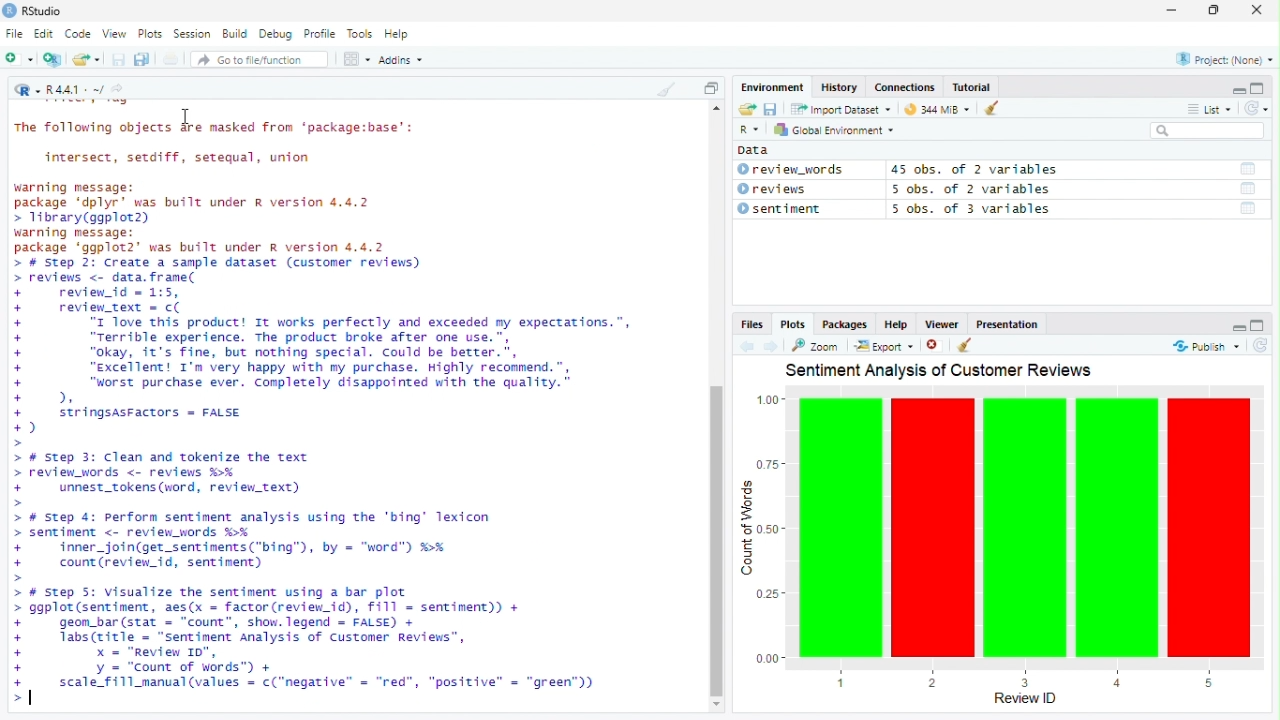 The image size is (1280, 720). Describe the element at coordinates (711, 87) in the screenshot. I see `Copy` at that location.